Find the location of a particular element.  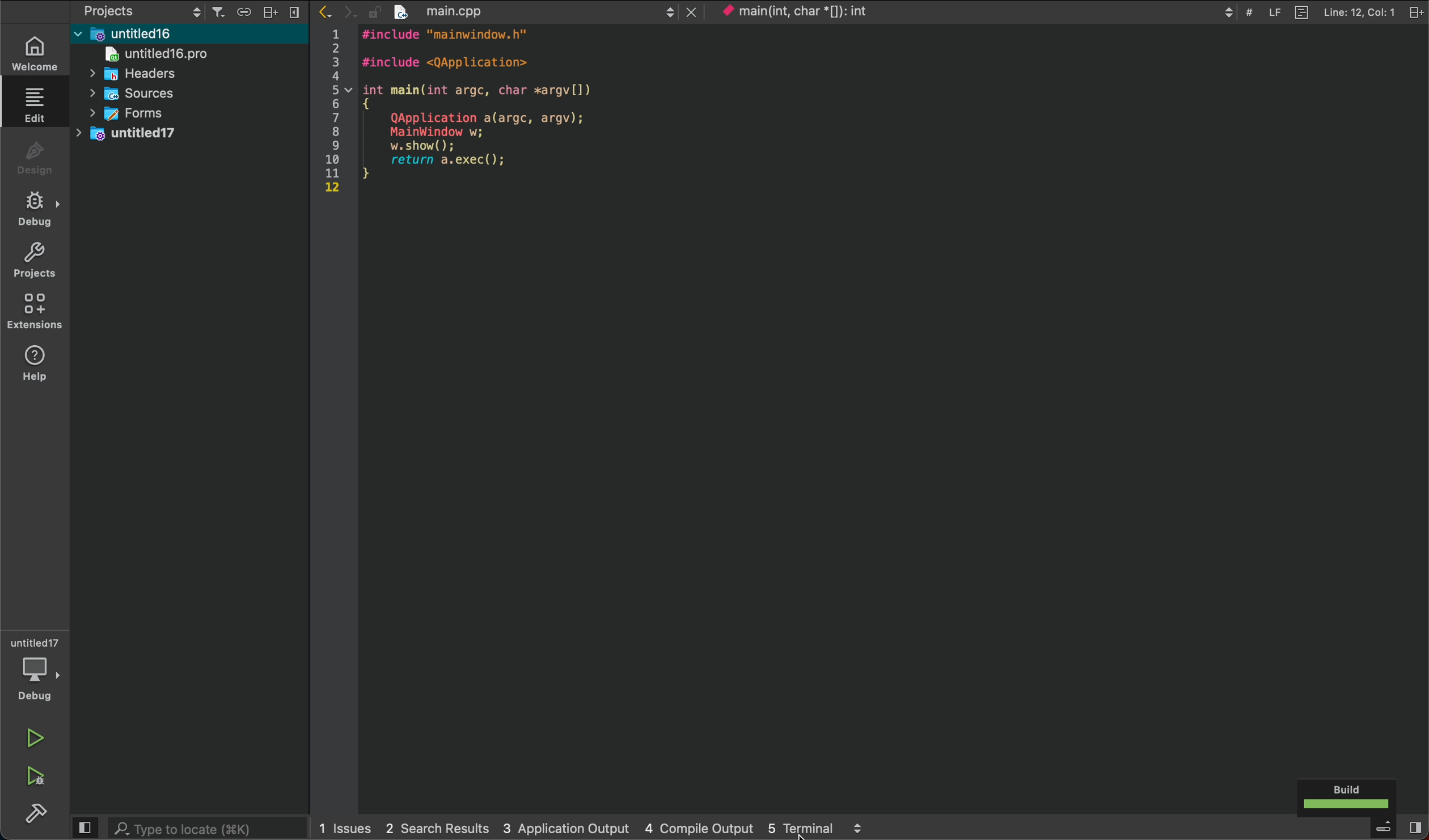

#include "mainwindow.h" #include <QApplication>int main(int argc, char *argv[]){QApplication a(argc, argv);MainWindow w;w.show();return a.exec();} is located at coordinates (487, 111).